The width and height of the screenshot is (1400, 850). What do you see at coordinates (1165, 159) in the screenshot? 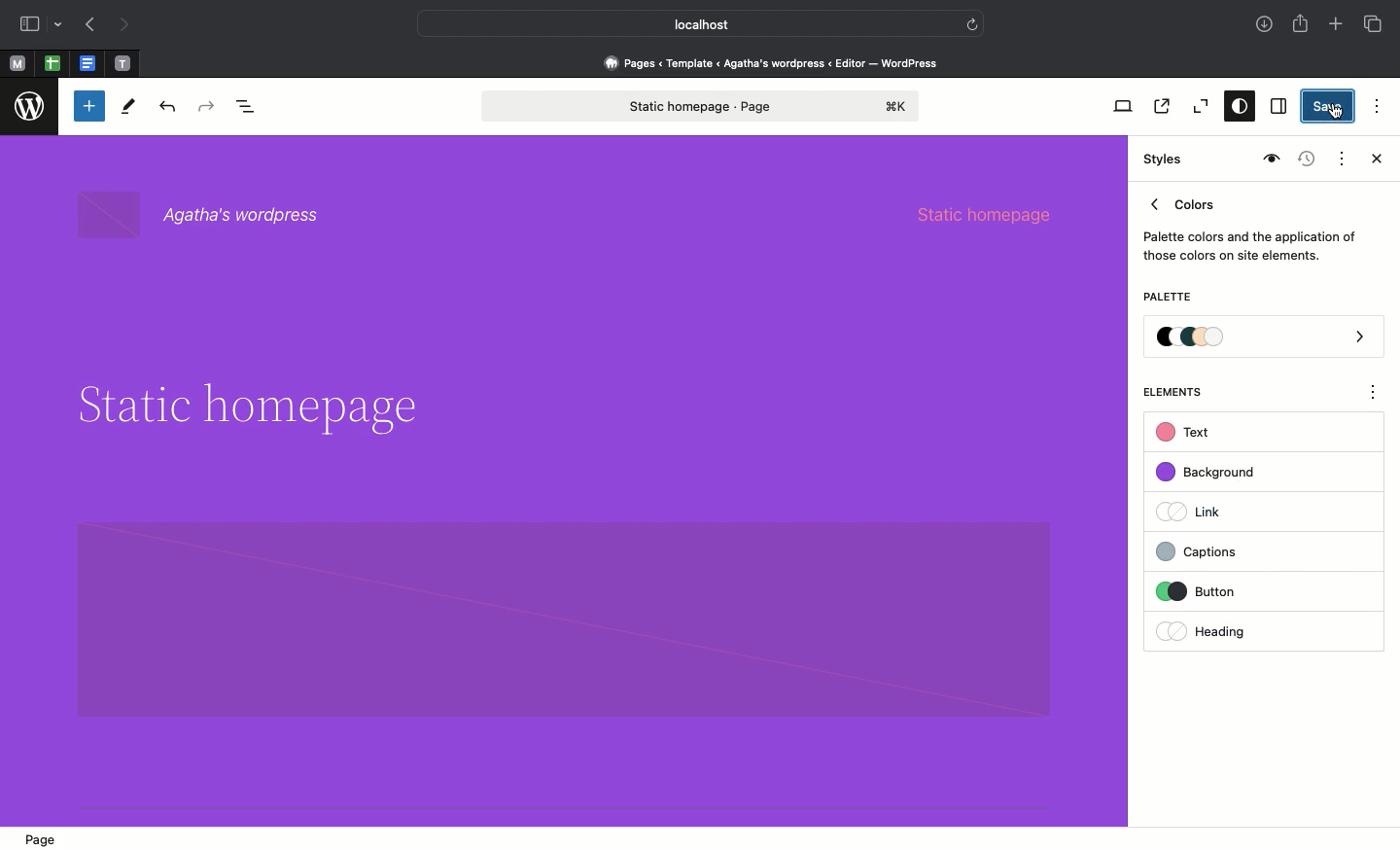
I see `Styles` at bounding box center [1165, 159].